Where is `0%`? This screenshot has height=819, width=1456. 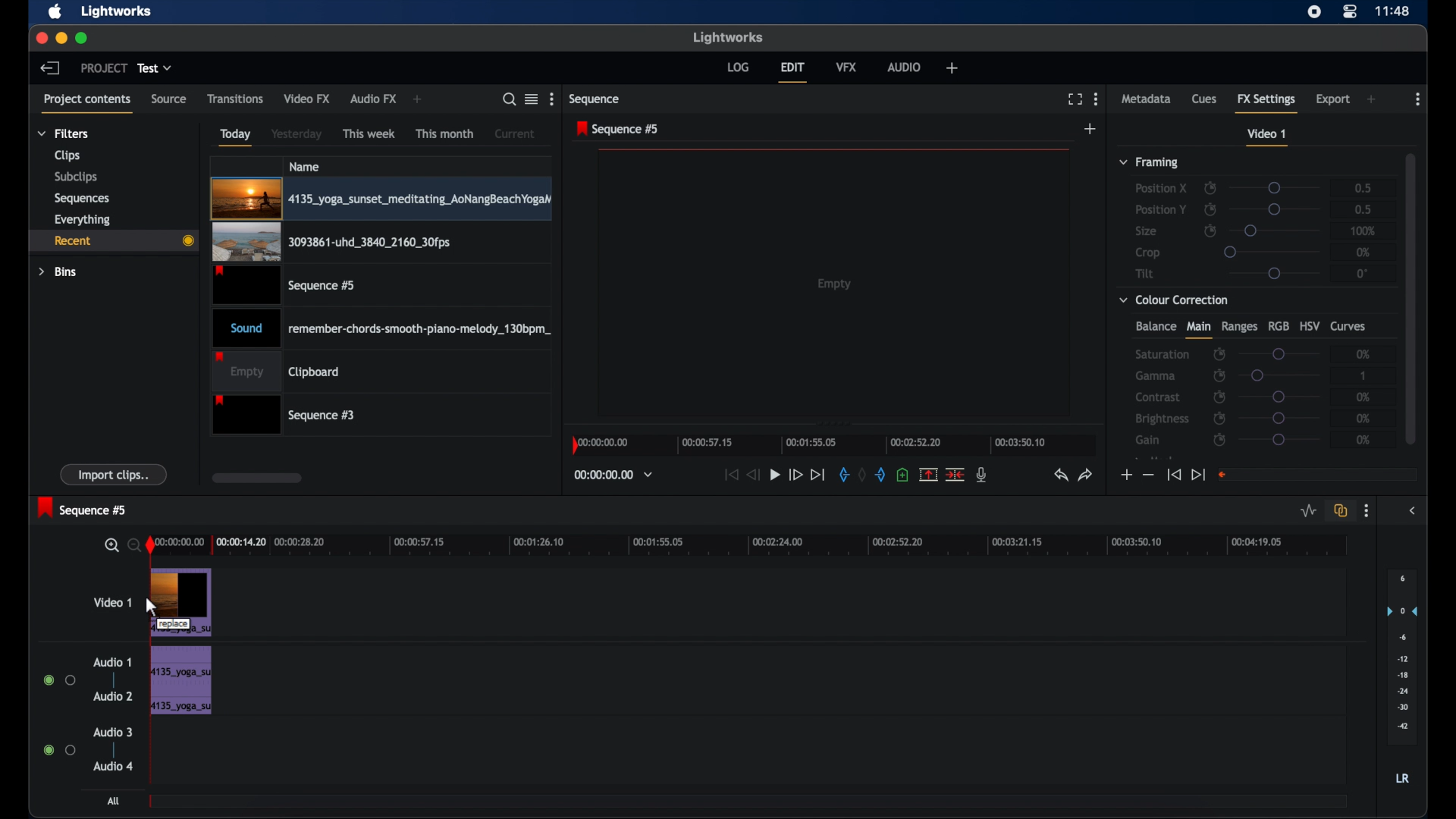
0% is located at coordinates (1364, 419).